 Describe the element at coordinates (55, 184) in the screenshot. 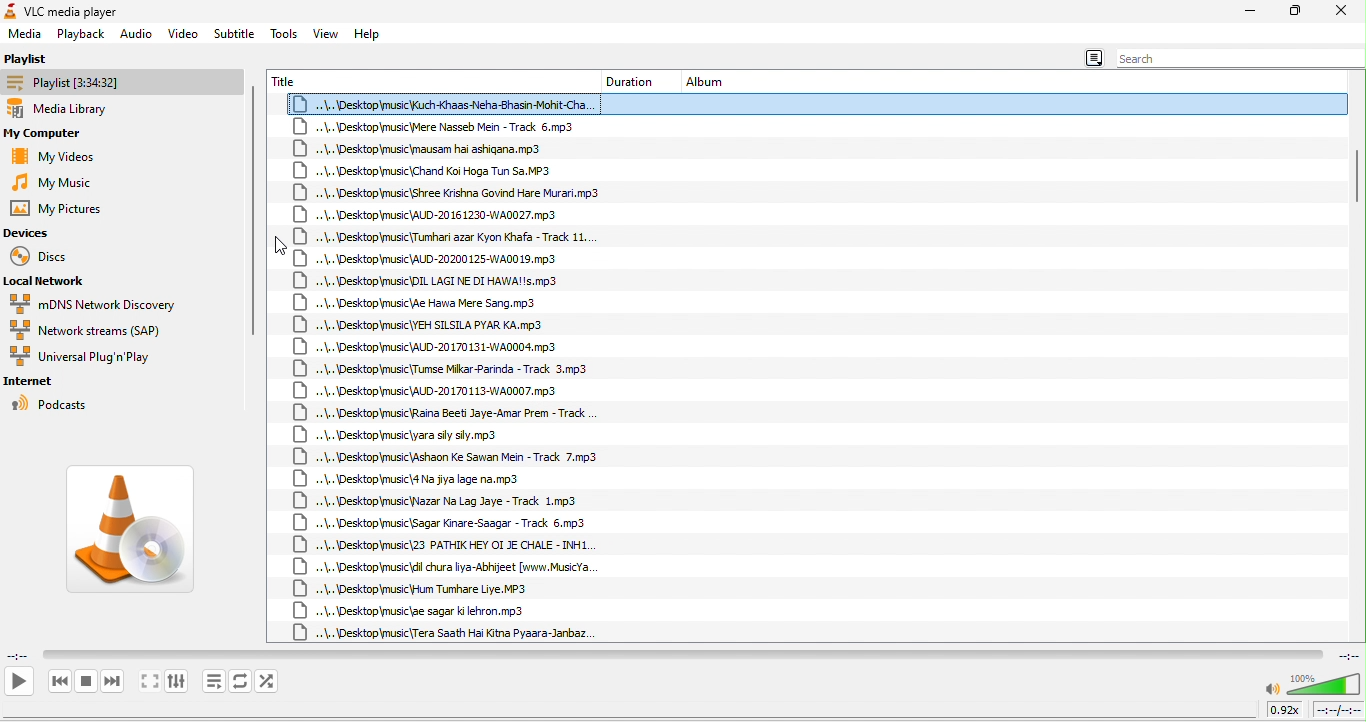

I see `my music` at that location.